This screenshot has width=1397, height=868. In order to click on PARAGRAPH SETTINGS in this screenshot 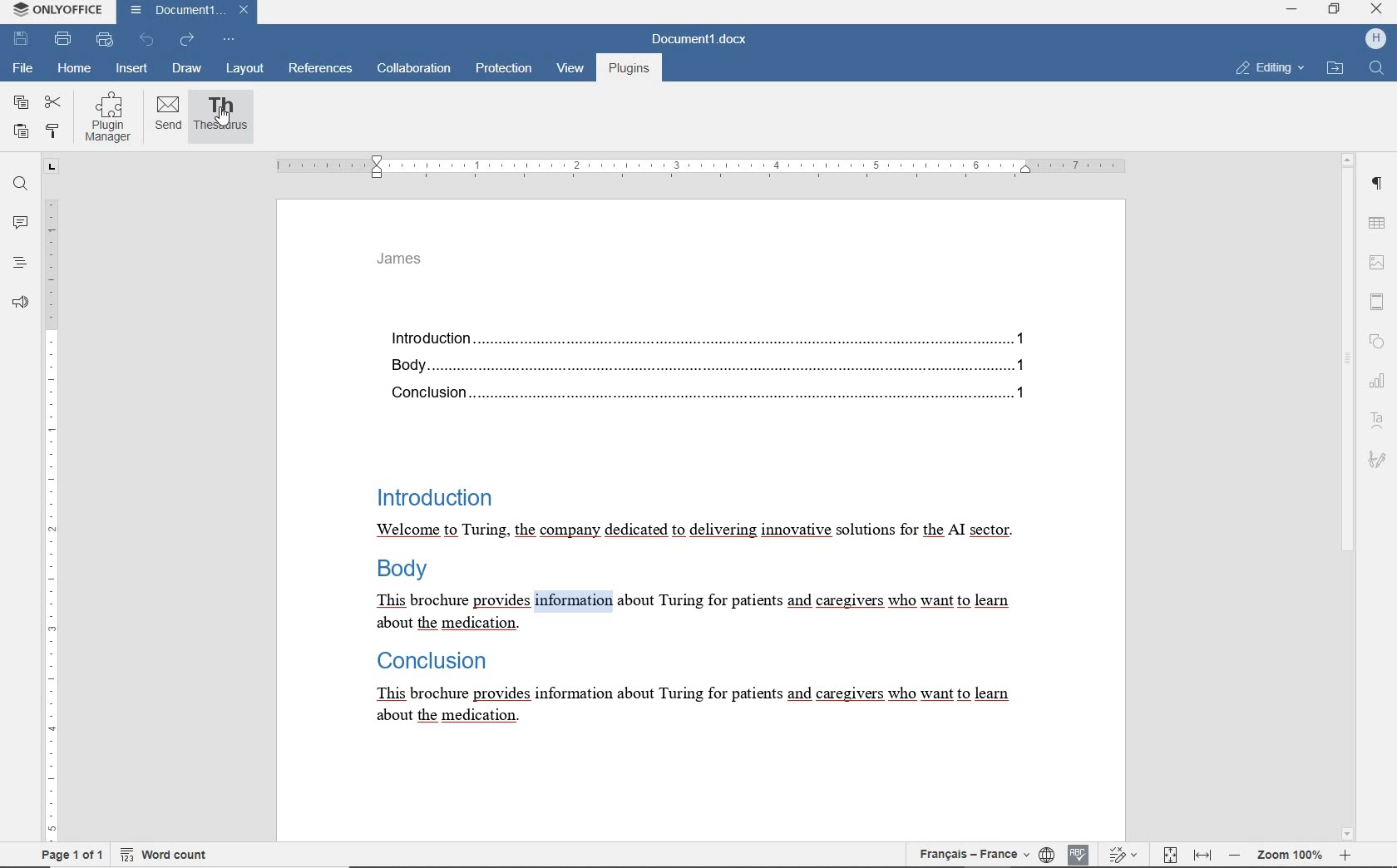, I will do `click(1379, 182)`.